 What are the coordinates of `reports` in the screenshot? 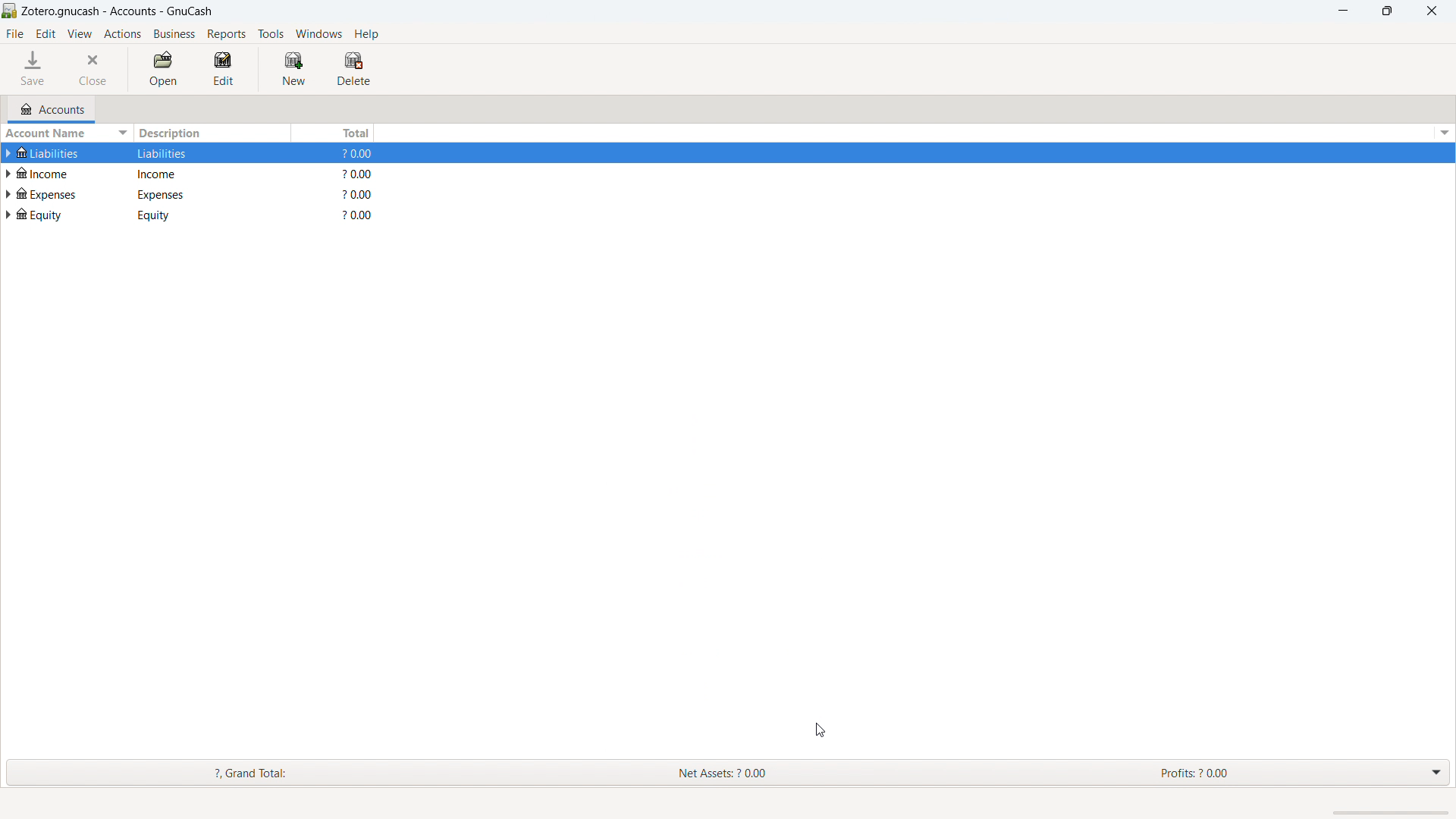 It's located at (227, 34).